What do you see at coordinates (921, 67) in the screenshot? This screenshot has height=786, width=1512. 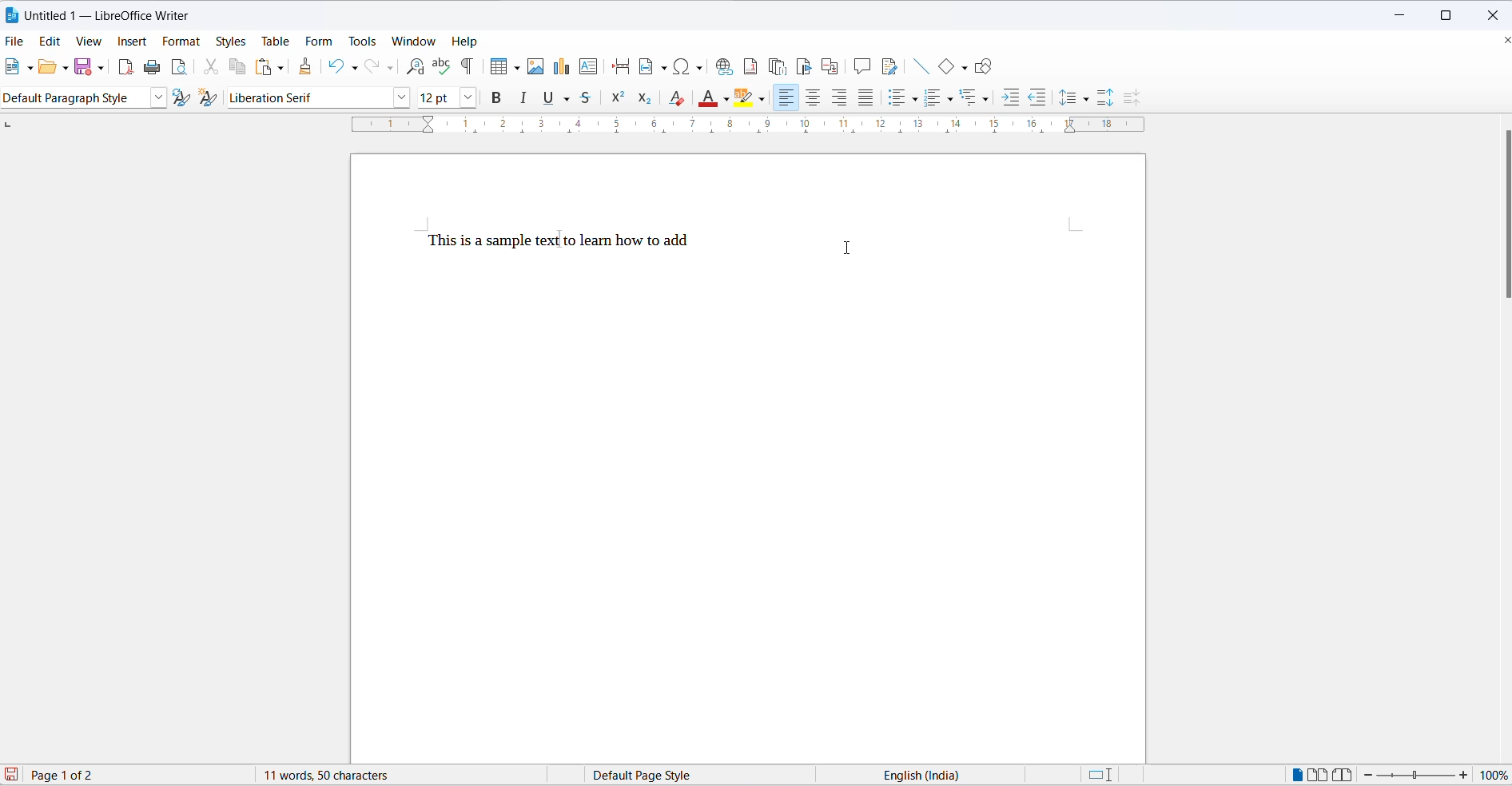 I see `insert line` at bounding box center [921, 67].